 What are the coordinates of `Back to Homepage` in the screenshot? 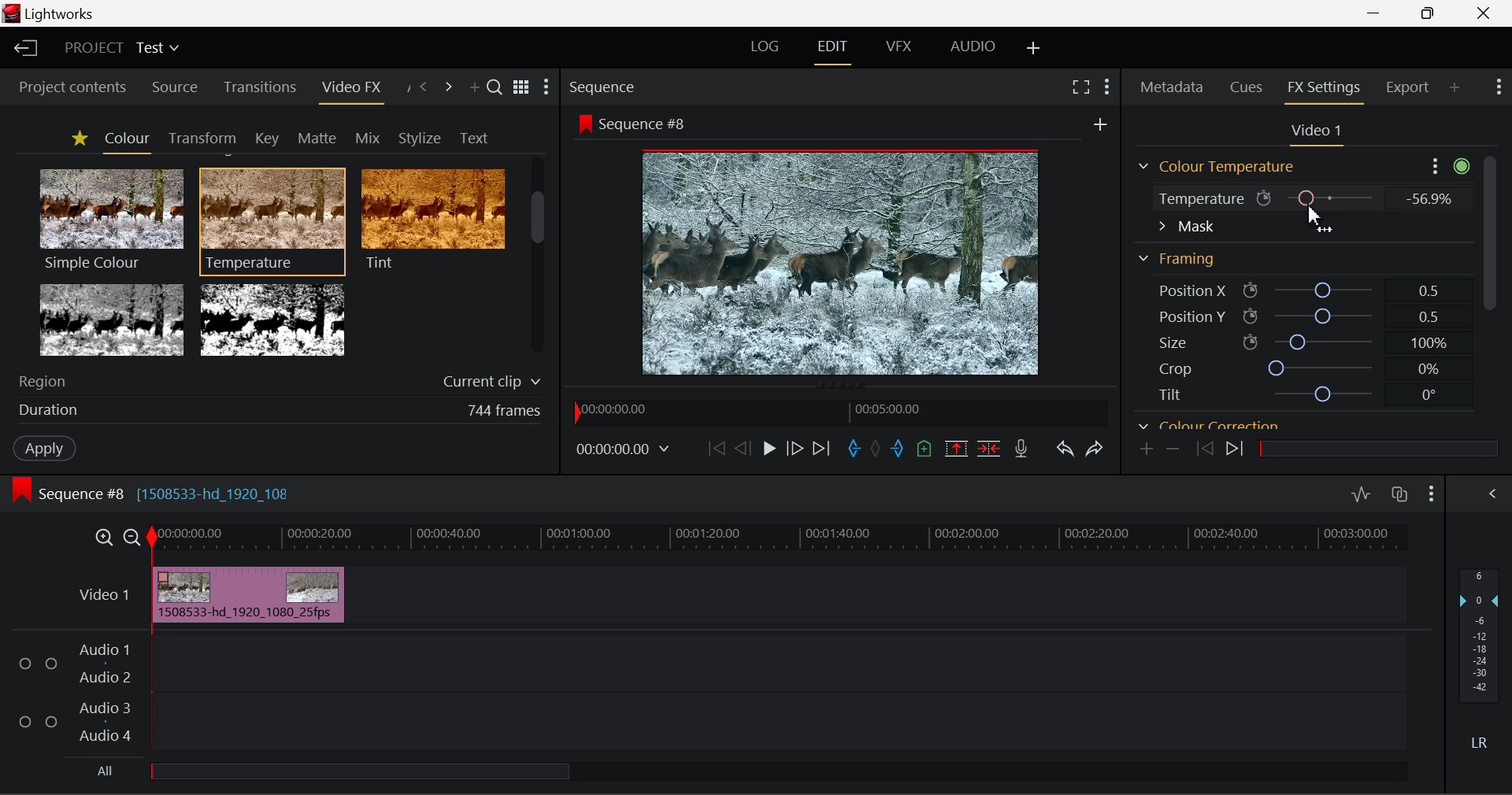 It's located at (24, 46).